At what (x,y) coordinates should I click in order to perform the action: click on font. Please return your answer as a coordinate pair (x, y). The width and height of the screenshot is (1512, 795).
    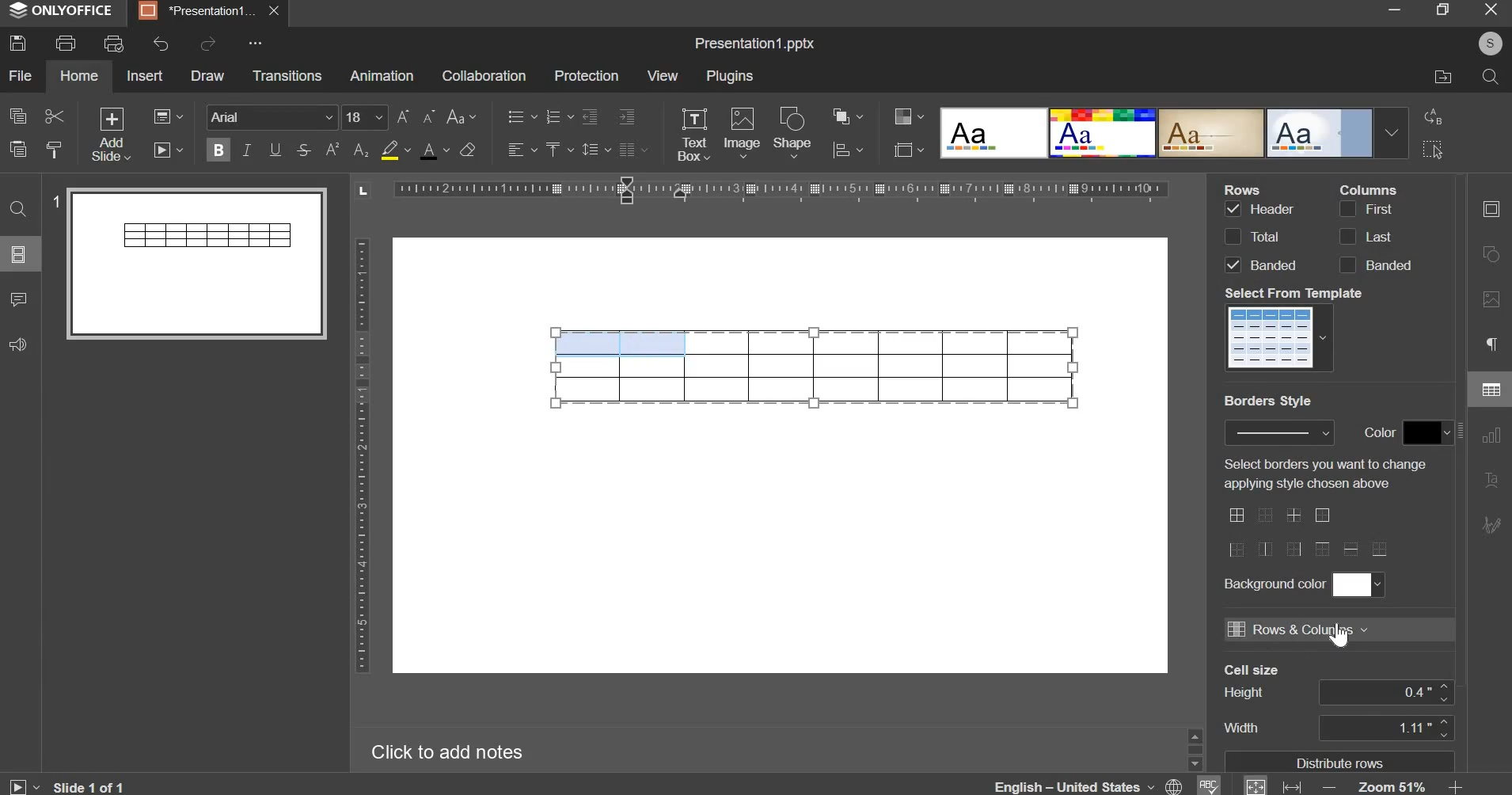
    Looking at the image, I should click on (273, 116).